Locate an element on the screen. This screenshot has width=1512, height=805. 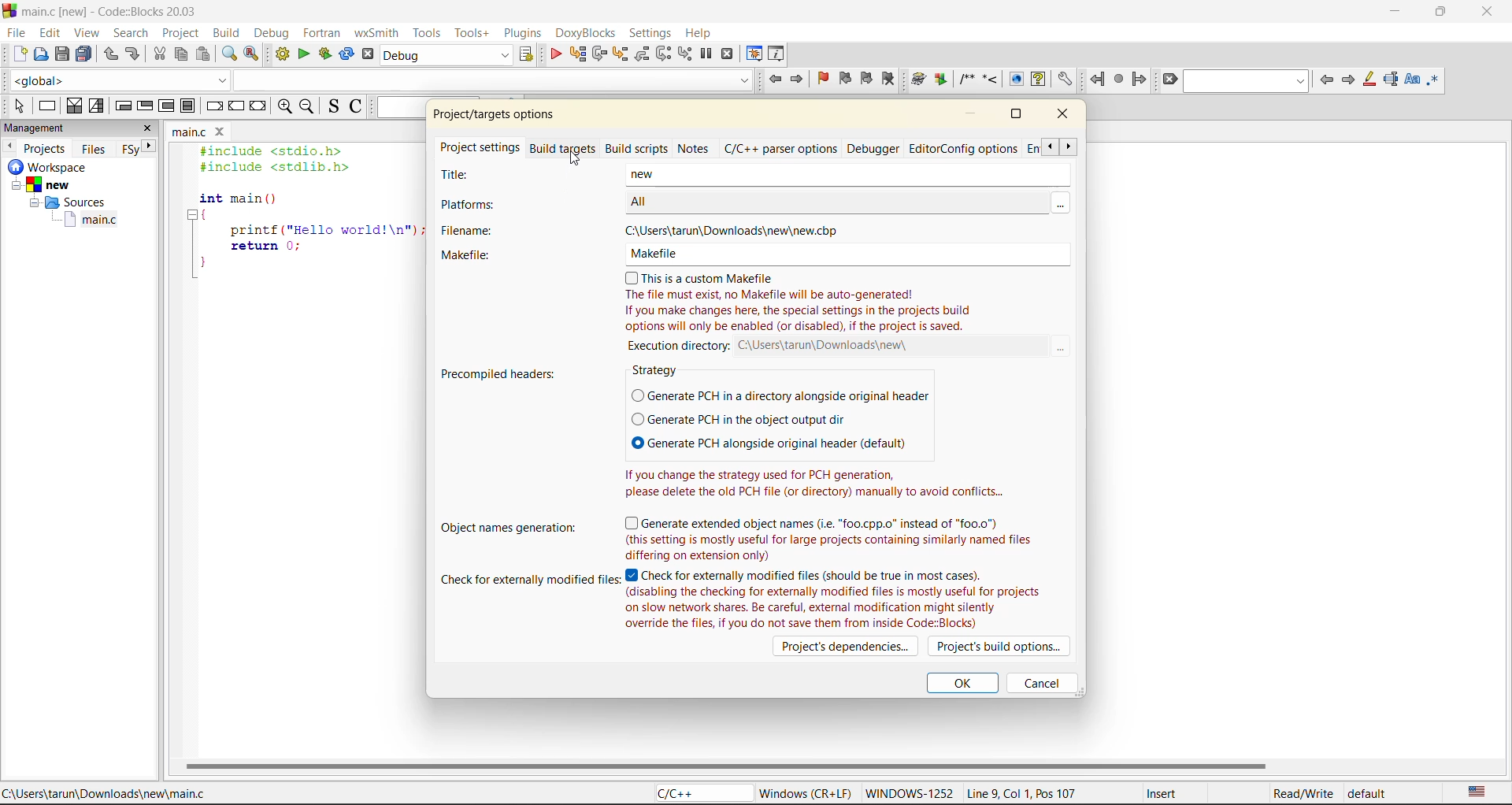
(7) Generate extended object names (i.e. “foo.cpp.o” instead of “f00.0") is located at coordinates (834, 518).